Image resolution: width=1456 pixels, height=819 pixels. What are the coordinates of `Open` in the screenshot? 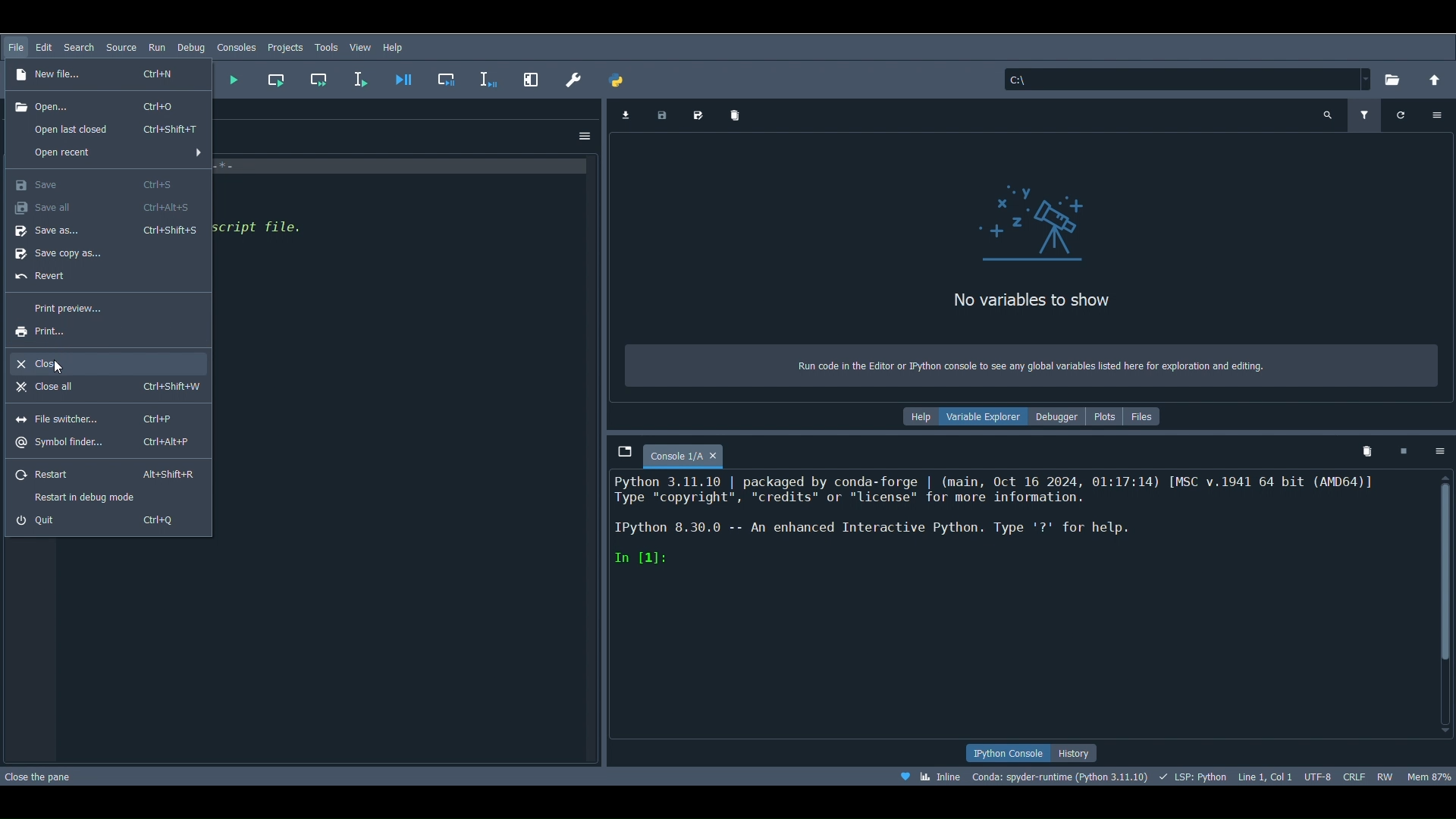 It's located at (100, 105).